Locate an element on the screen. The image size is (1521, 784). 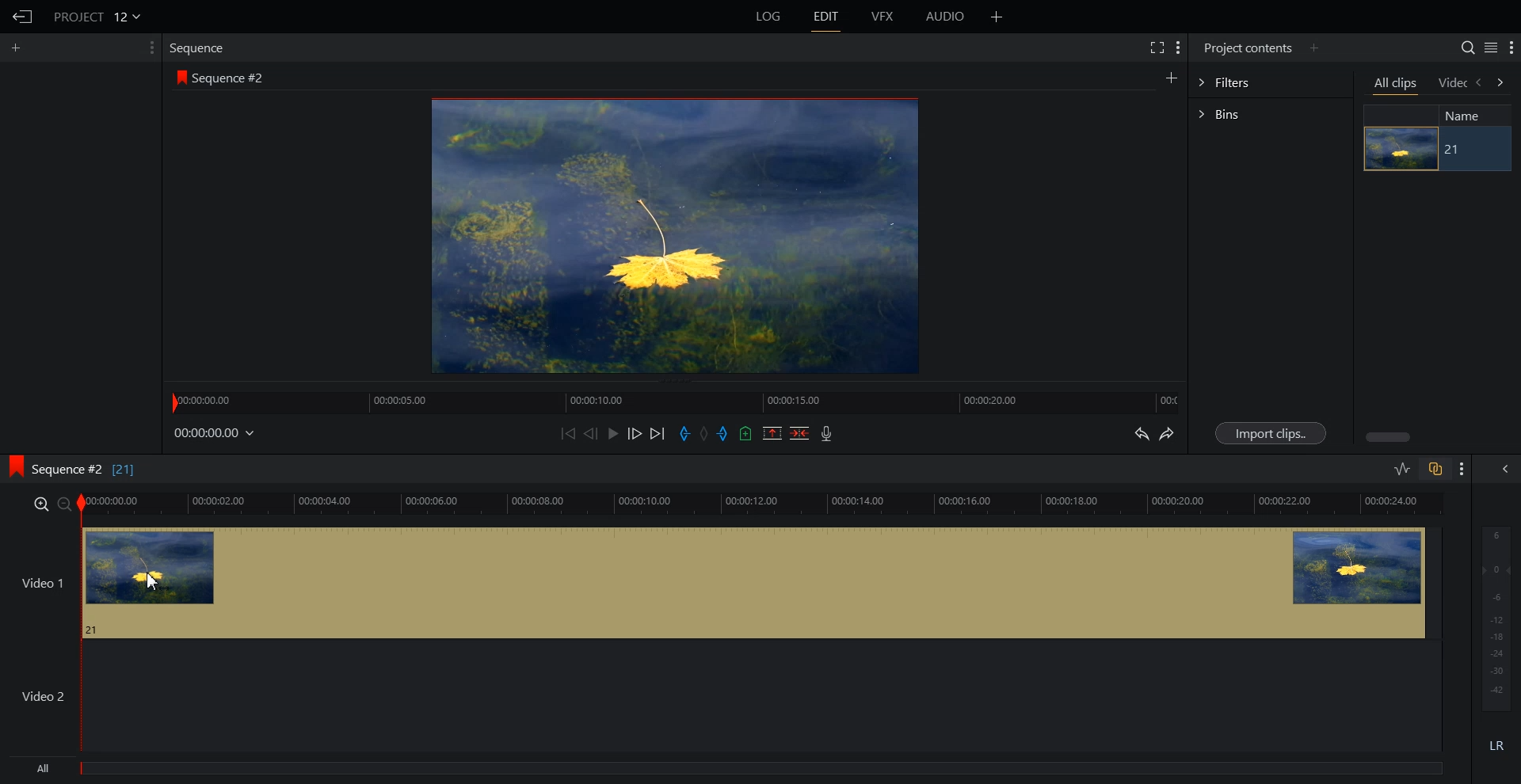
Add in mark in the current video is located at coordinates (684, 434).